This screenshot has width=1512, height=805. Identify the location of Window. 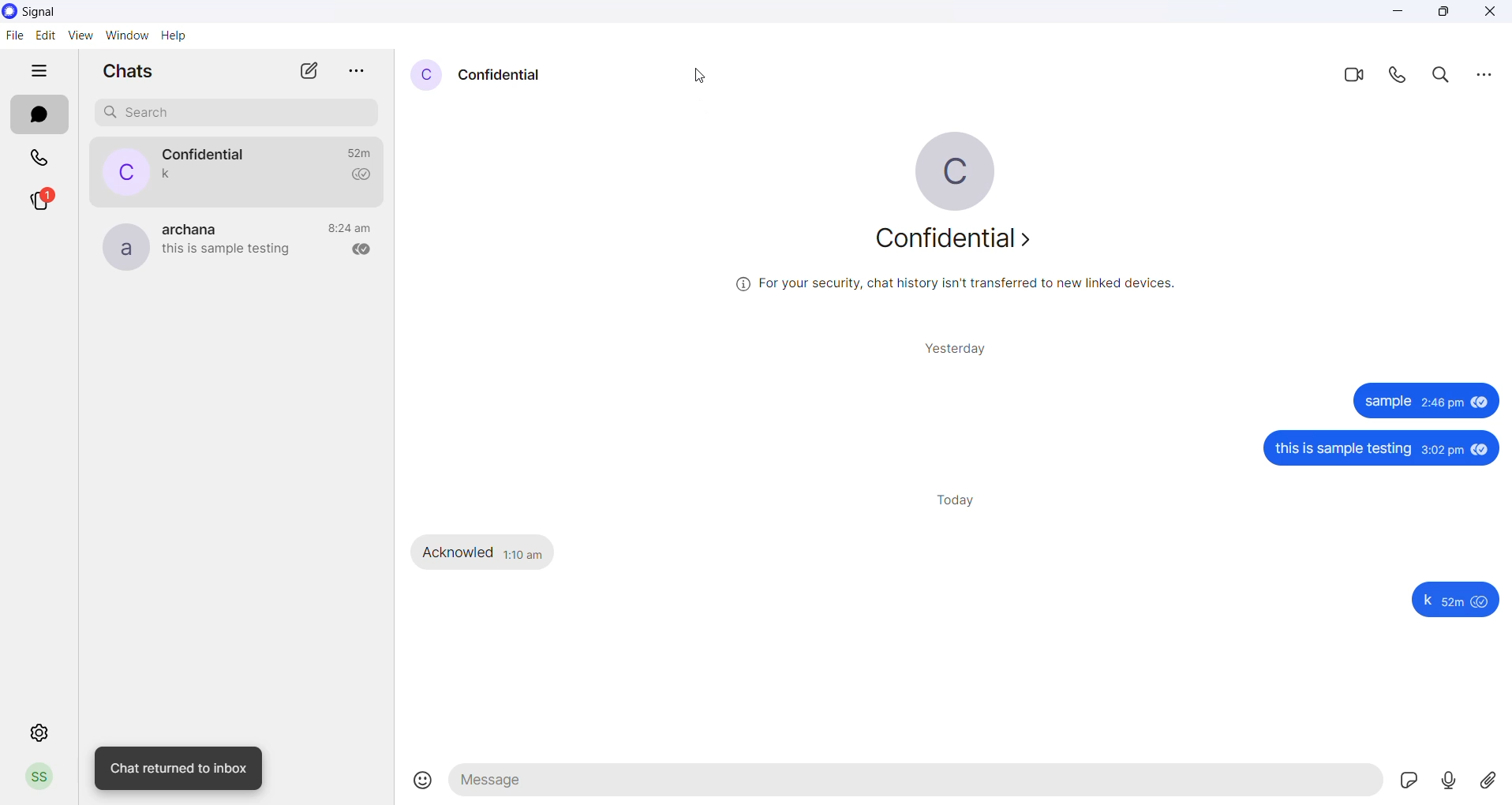
(127, 36).